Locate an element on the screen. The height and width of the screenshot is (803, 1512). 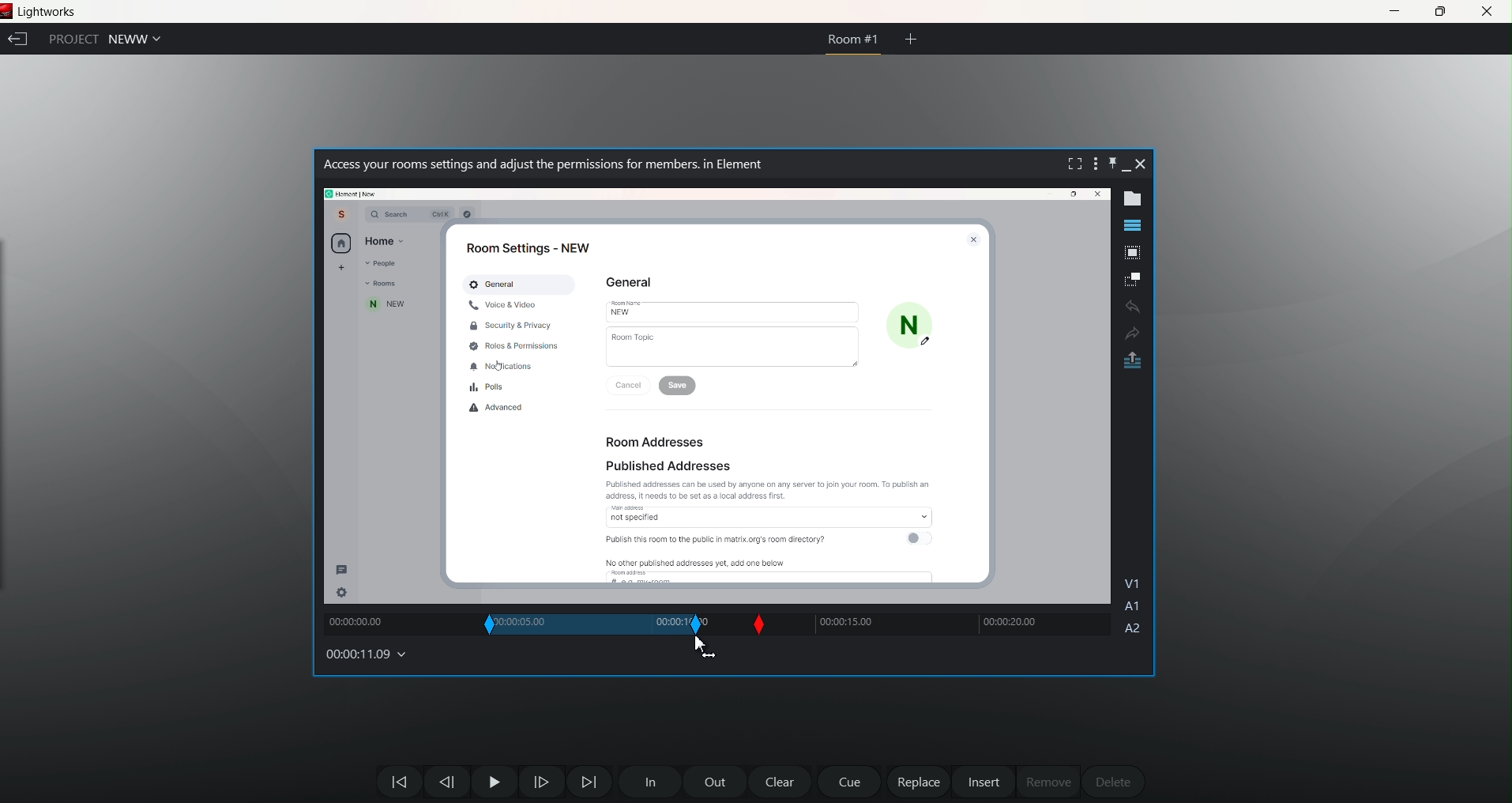
Publish this room to the public in matrix.org's room directory? is located at coordinates (717, 538).